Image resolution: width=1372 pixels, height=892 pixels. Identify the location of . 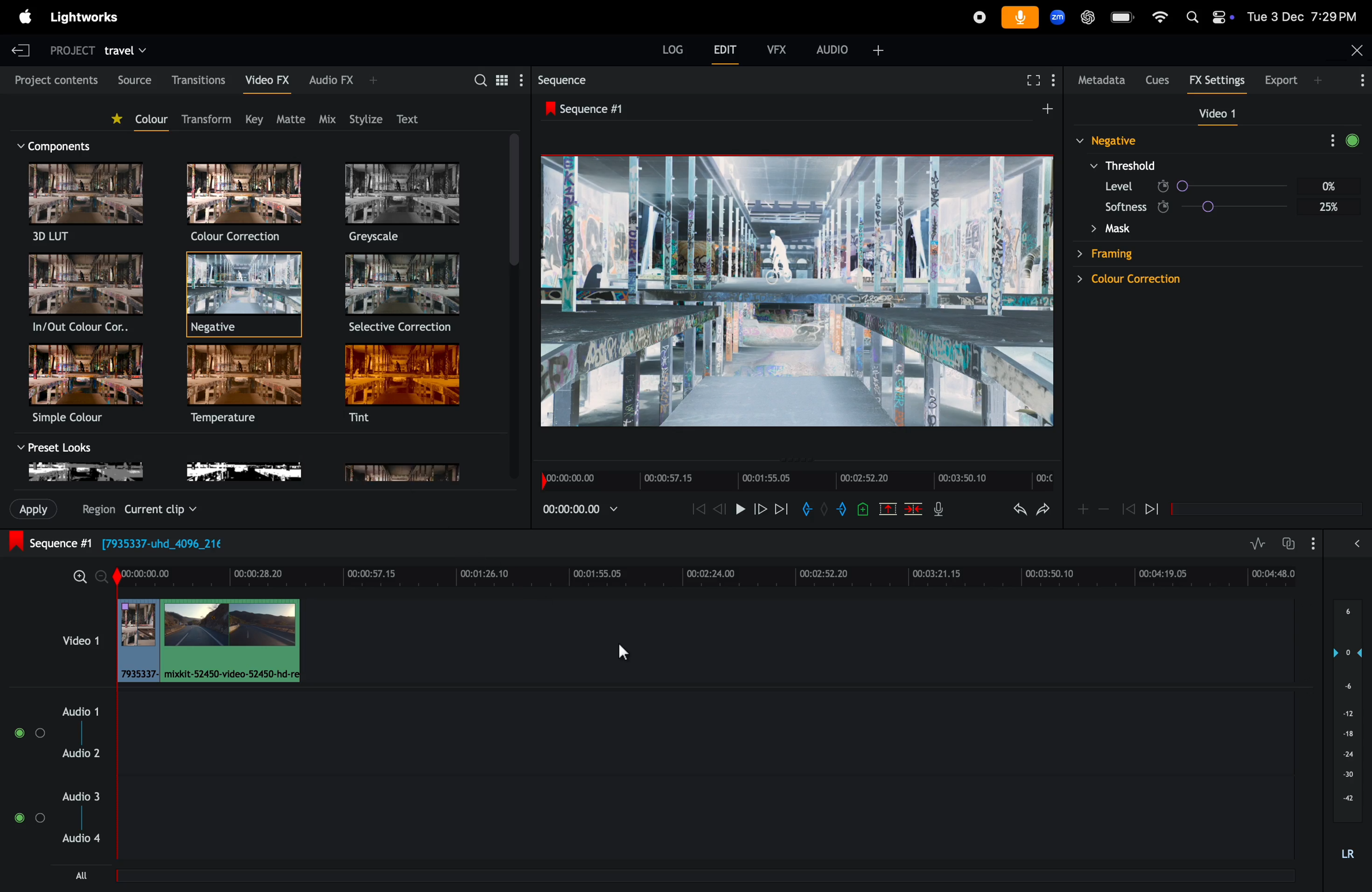
(1122, 188).